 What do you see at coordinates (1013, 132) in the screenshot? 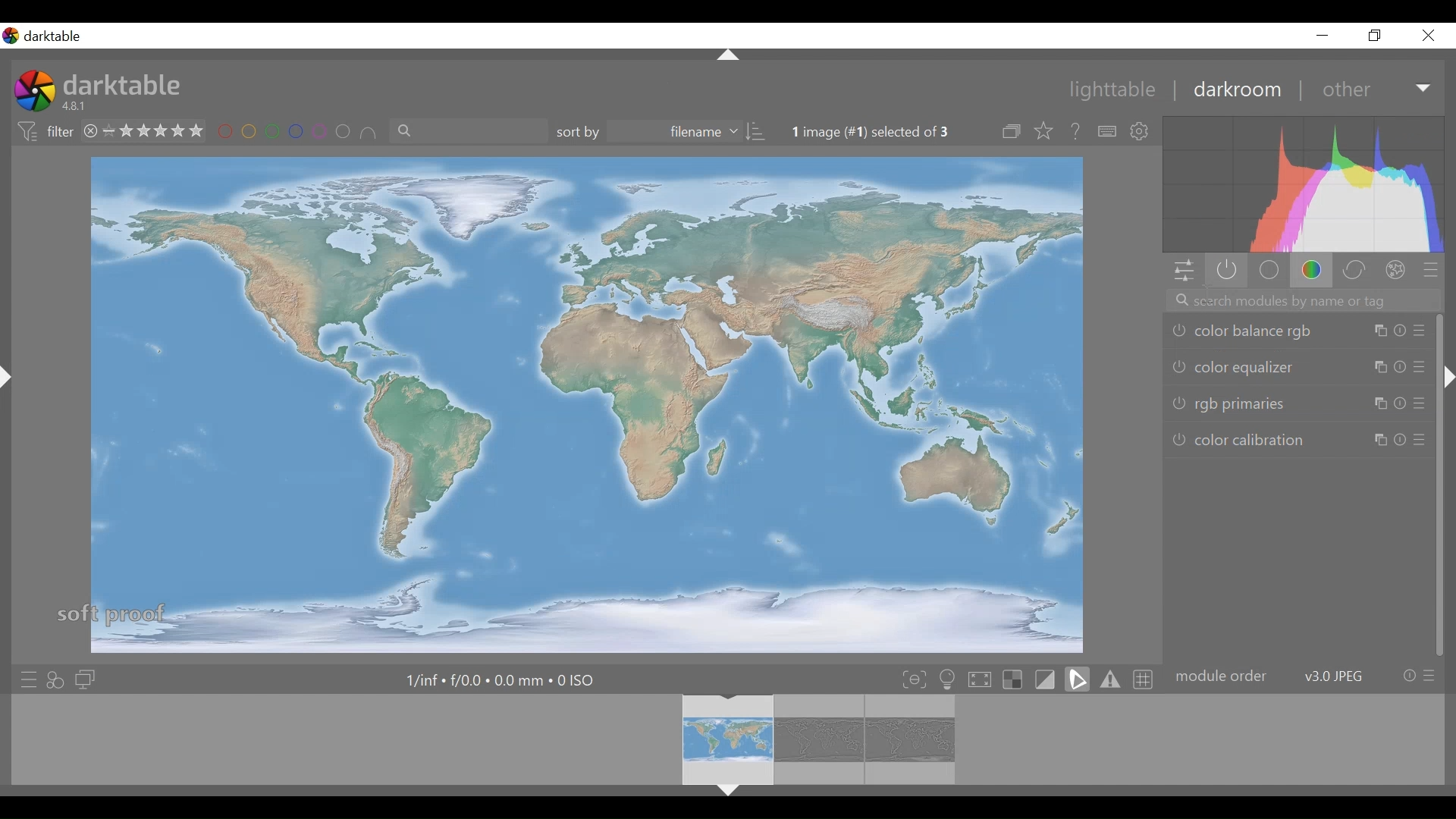
I see `collapse grouped image` at bounding box center [1013, 132].